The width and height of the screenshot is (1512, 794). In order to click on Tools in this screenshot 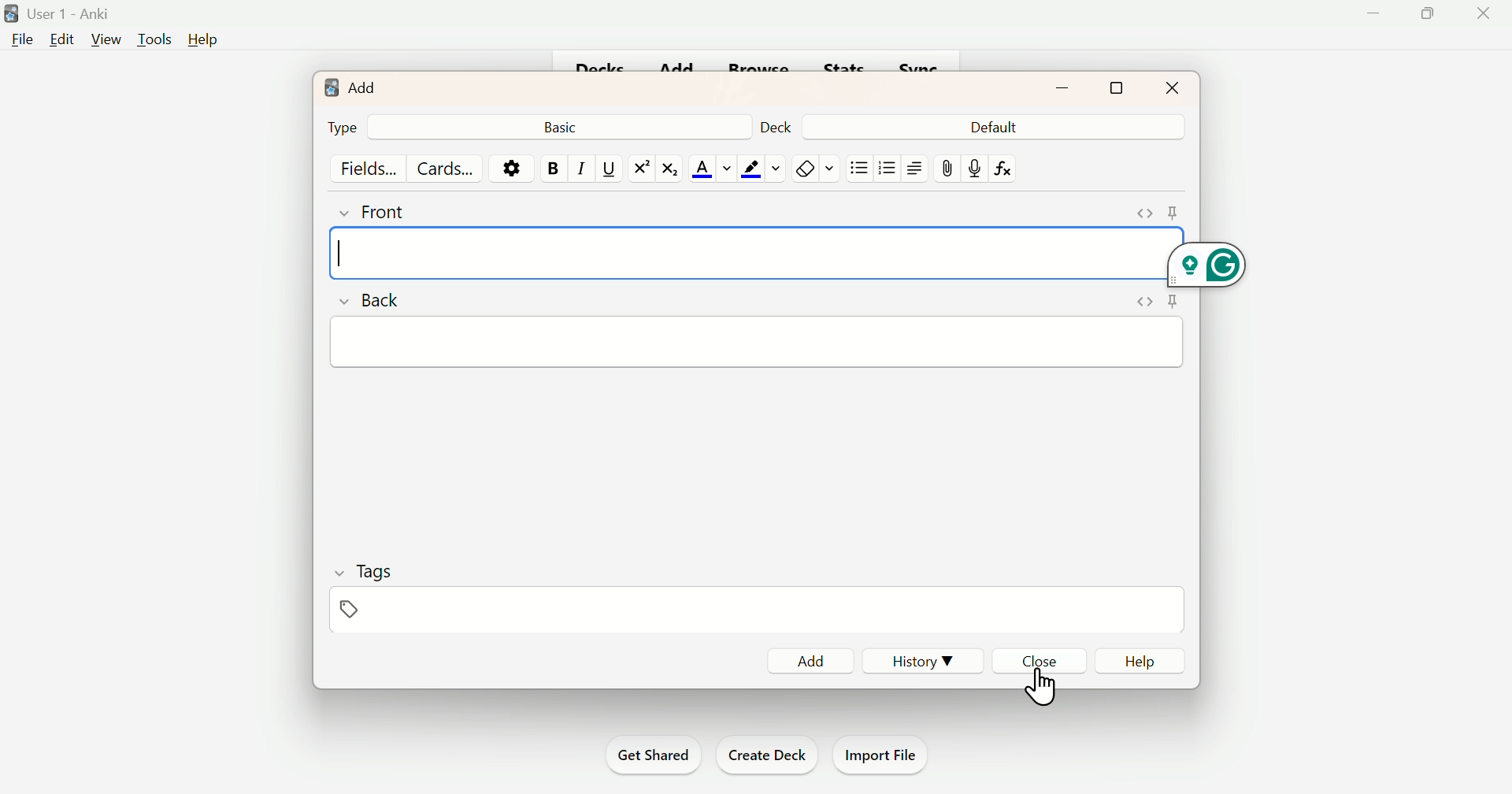, I will do `click(153, 40)`.